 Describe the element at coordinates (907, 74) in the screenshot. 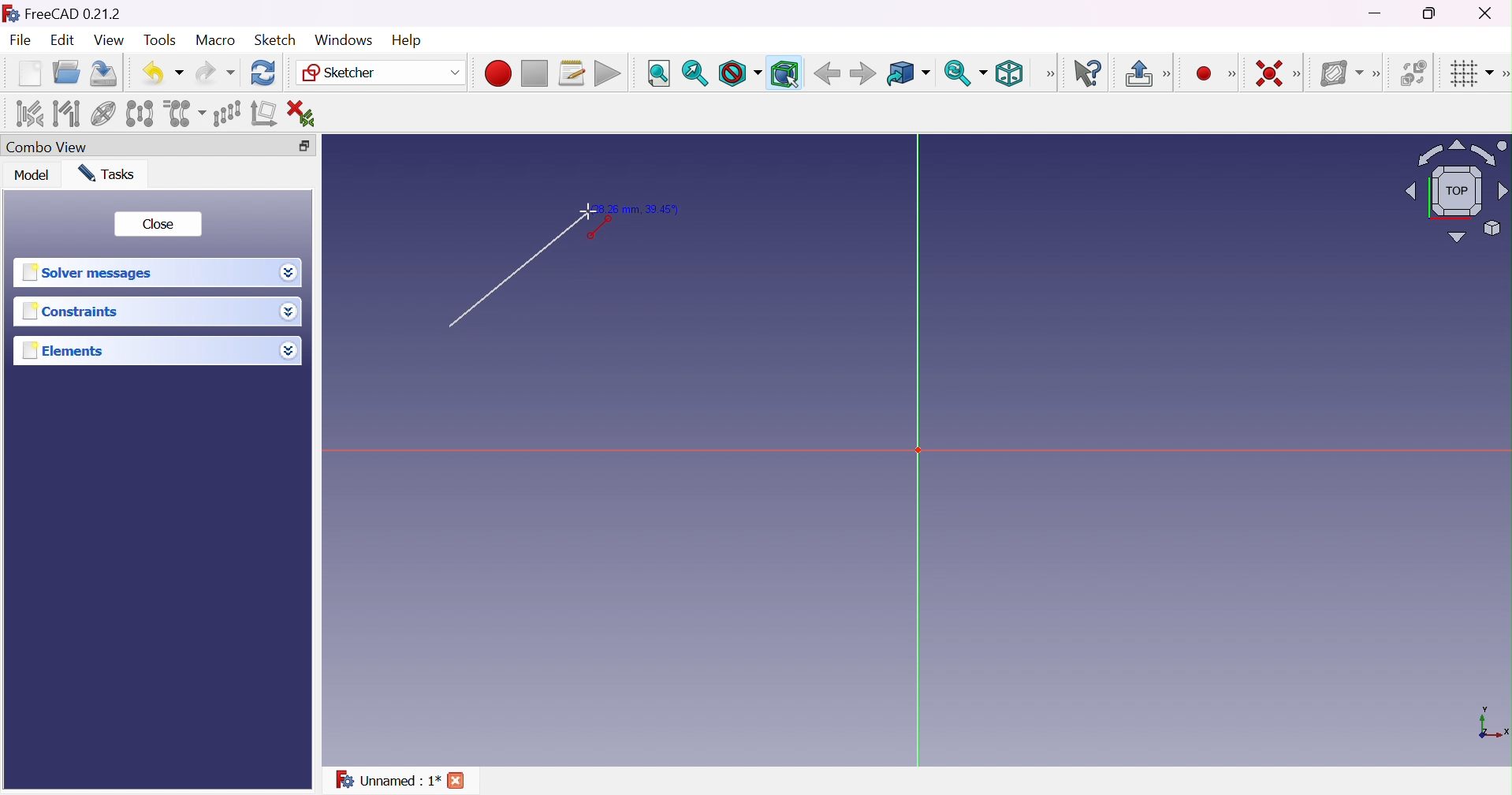

I see `Move in box` at that location.